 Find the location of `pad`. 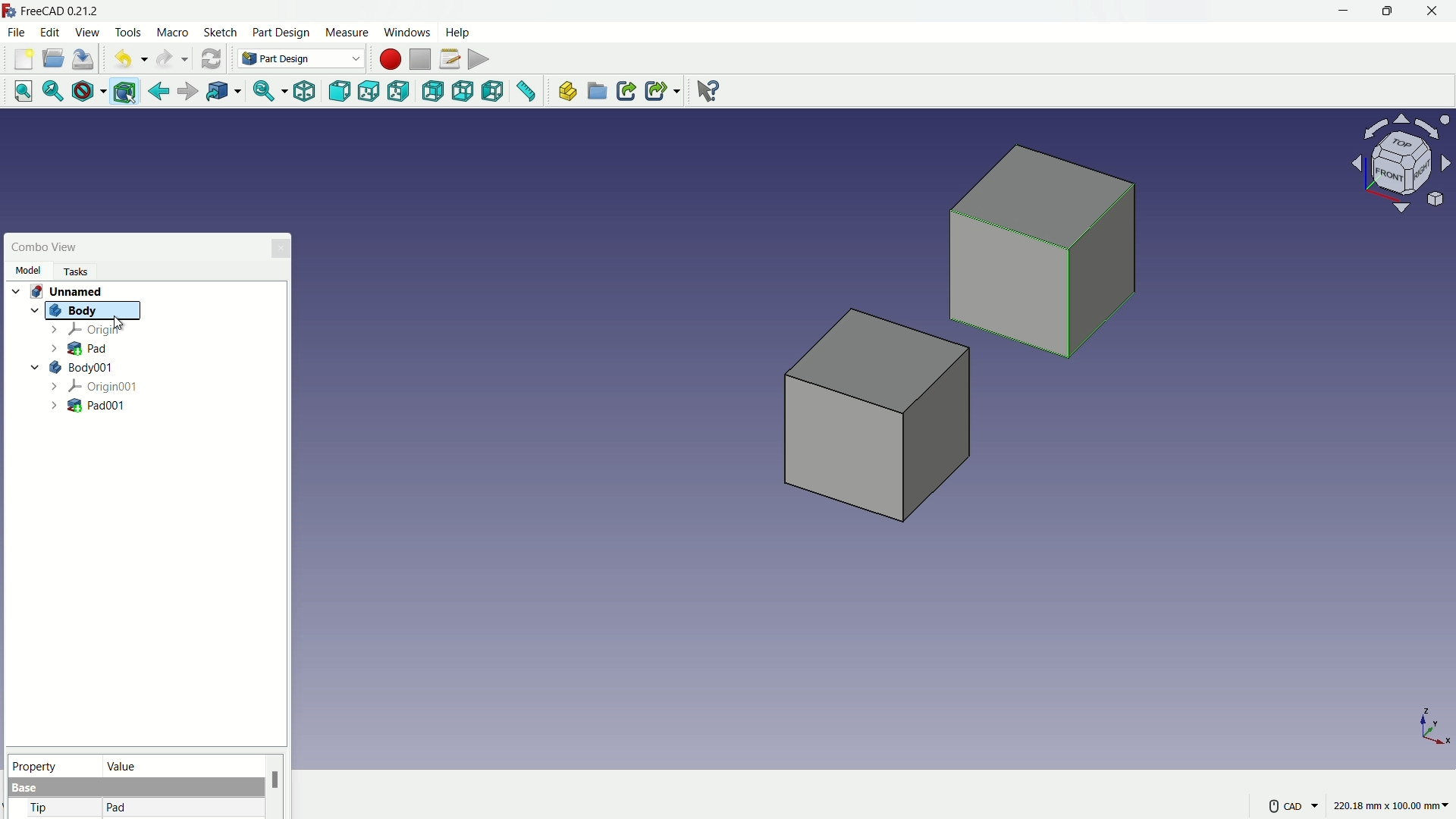

pad is located at coordinates (82, 347).